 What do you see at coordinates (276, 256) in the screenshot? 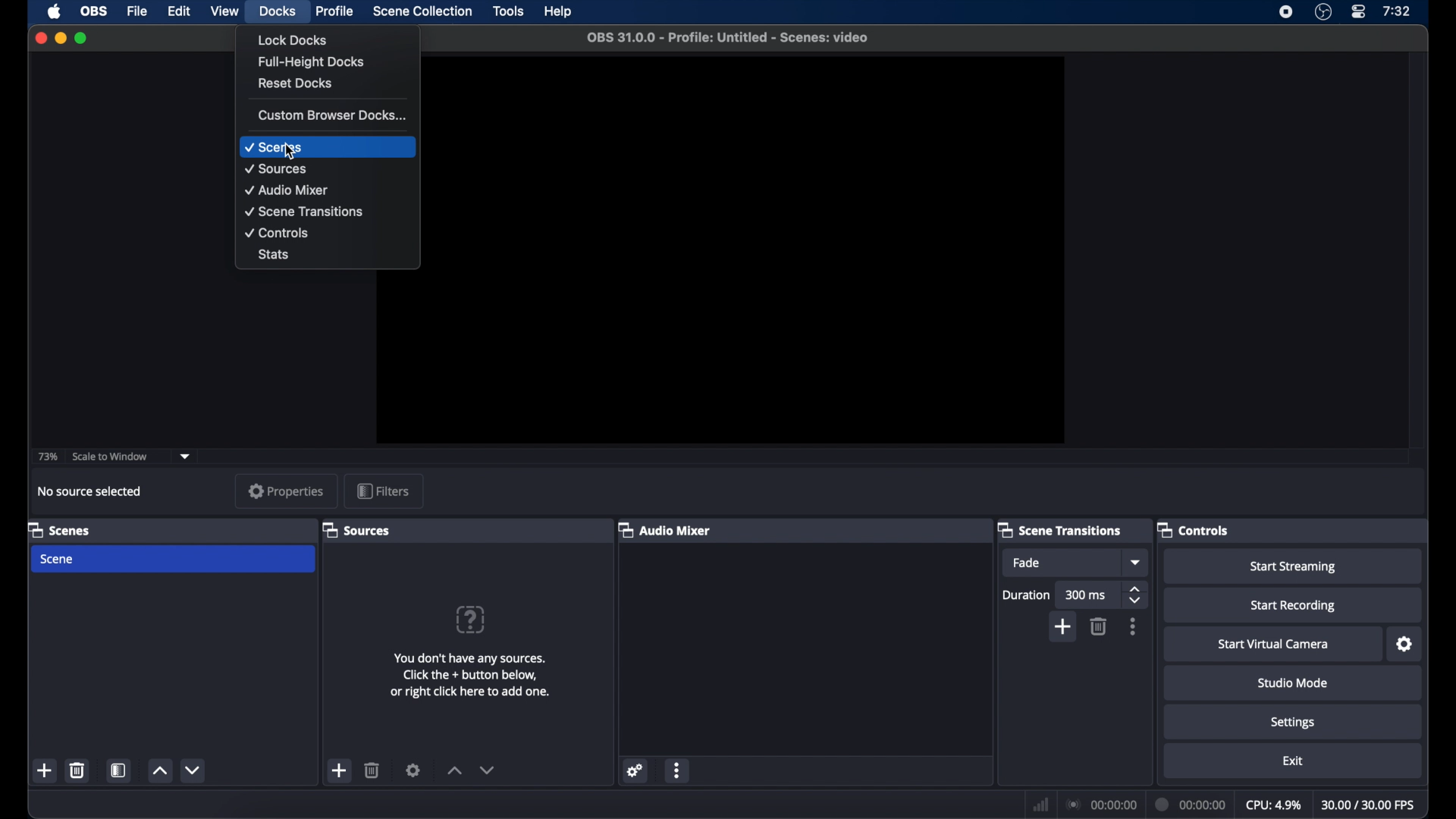
I see `stats` at bounding box center [276, 256].